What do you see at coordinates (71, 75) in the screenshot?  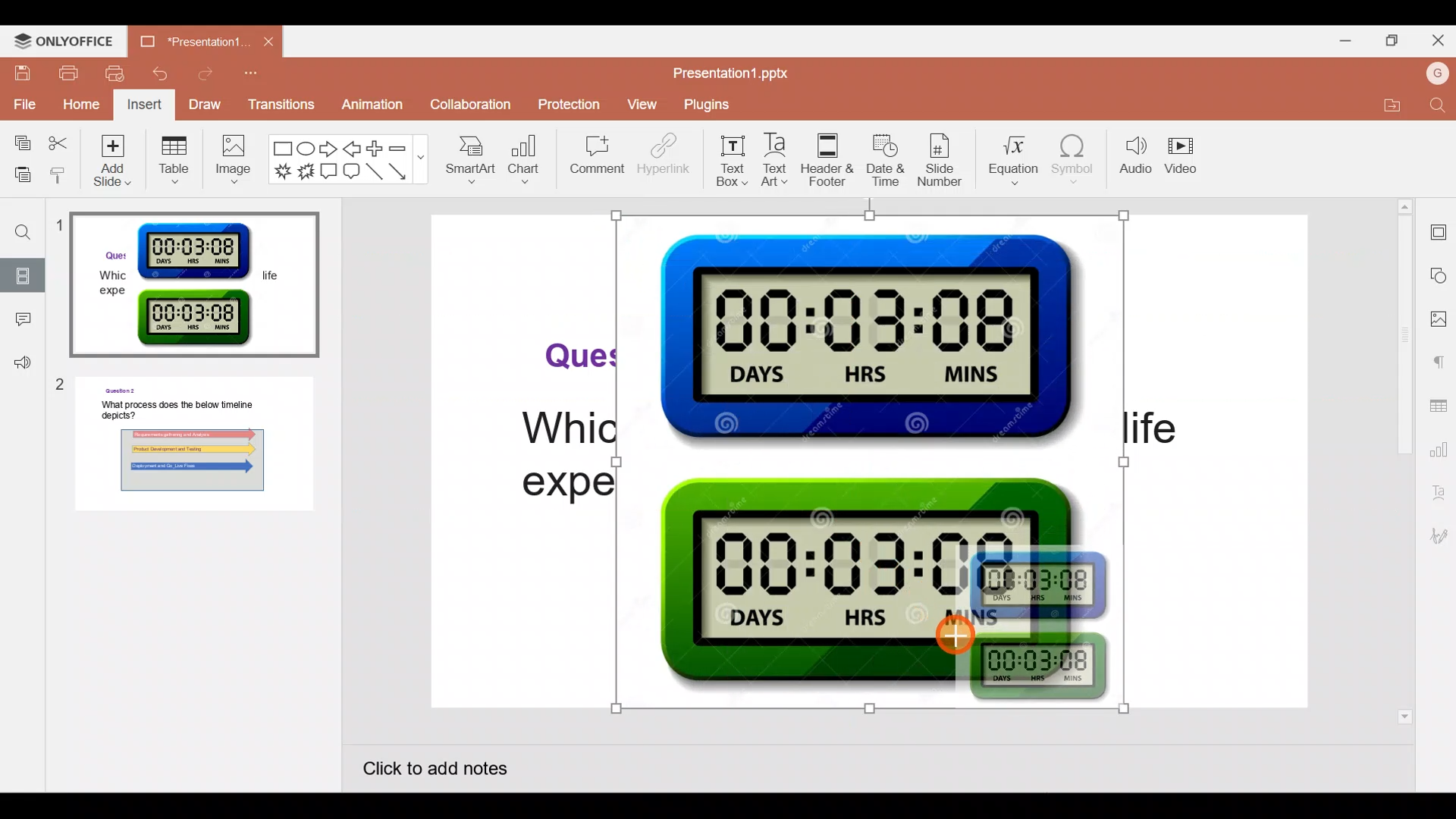 I see `Print file` at bounding box center [71, 75].